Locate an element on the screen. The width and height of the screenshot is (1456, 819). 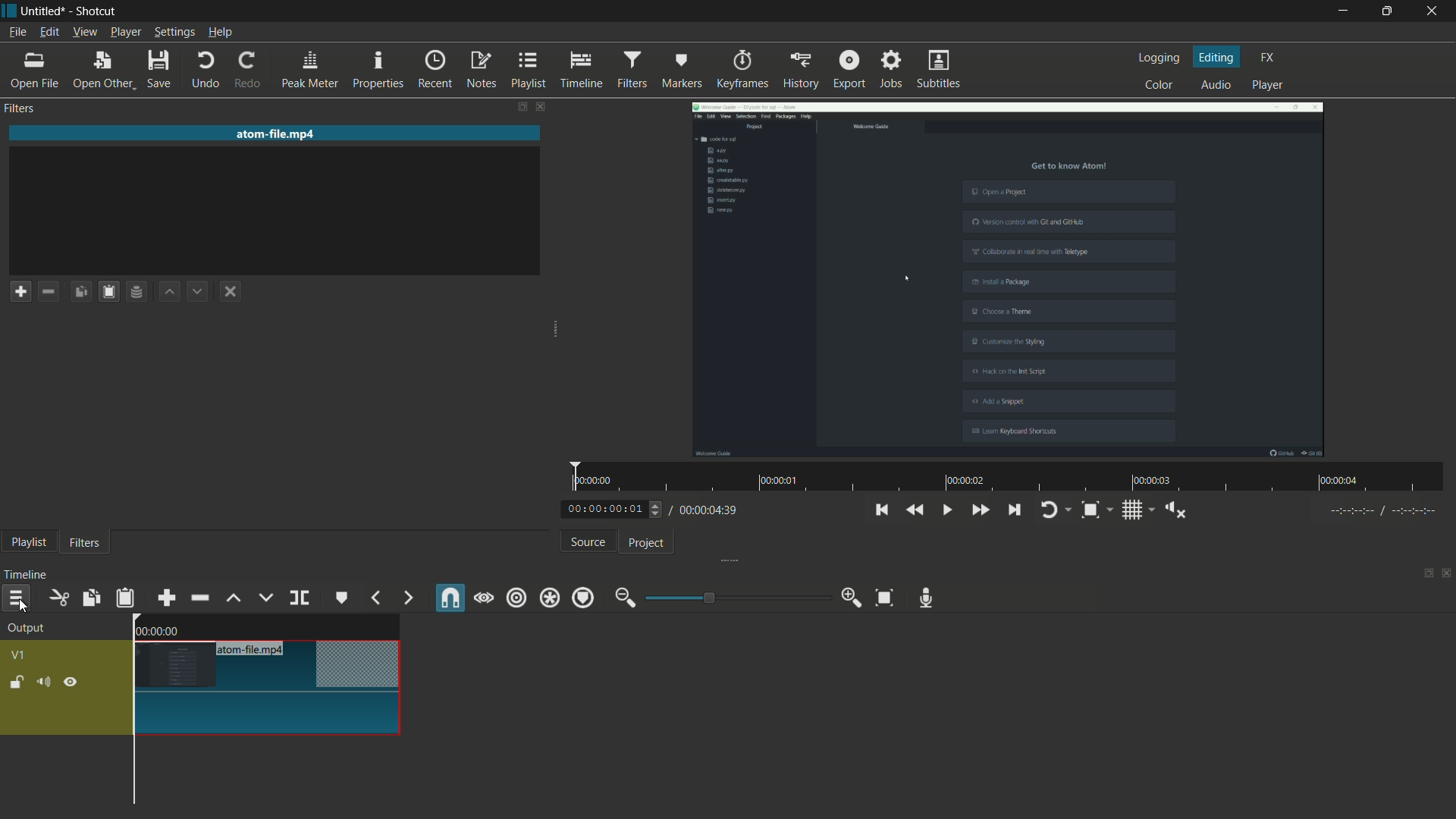
v1 is located at coordinates (20, 656).